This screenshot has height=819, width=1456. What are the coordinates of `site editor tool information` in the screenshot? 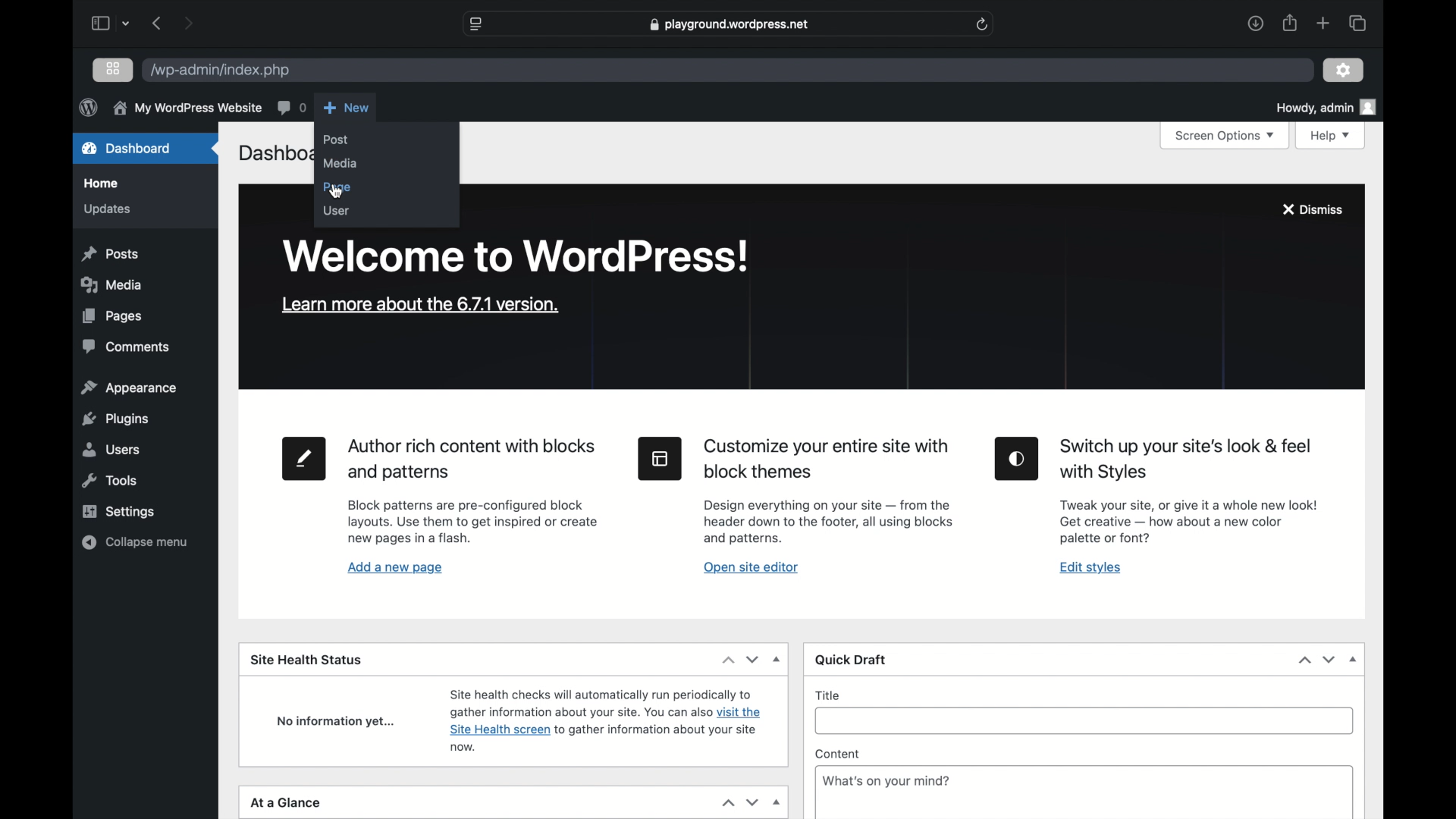 It's located at (829, 523).